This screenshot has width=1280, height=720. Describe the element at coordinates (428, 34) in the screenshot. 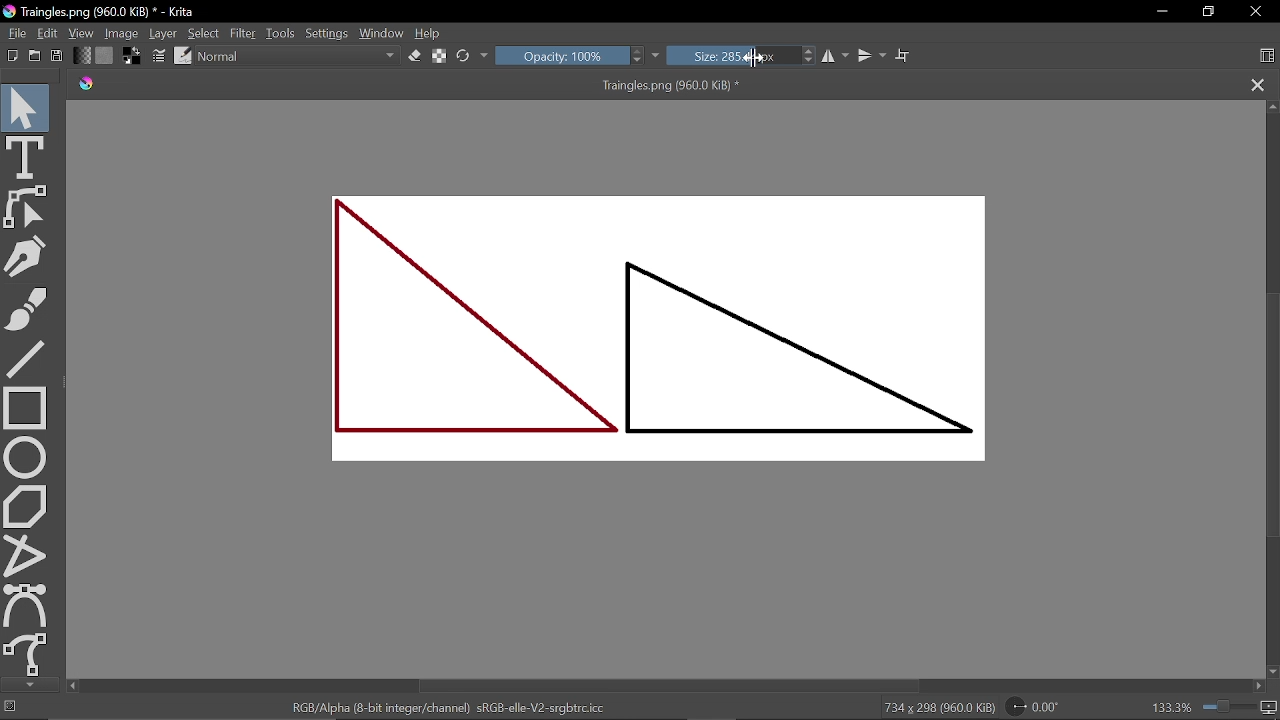

I see `Help` at that location.